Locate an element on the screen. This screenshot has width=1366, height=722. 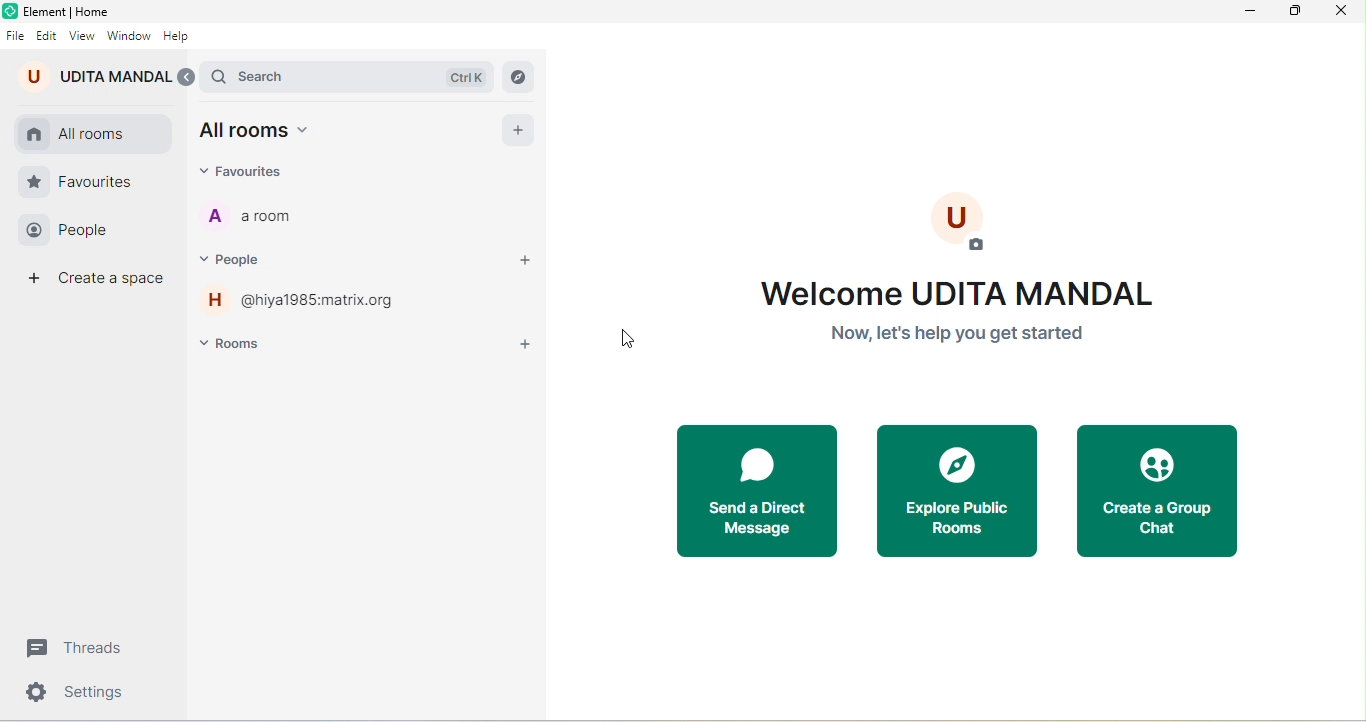
search bar is located at coordinates (347, 76).